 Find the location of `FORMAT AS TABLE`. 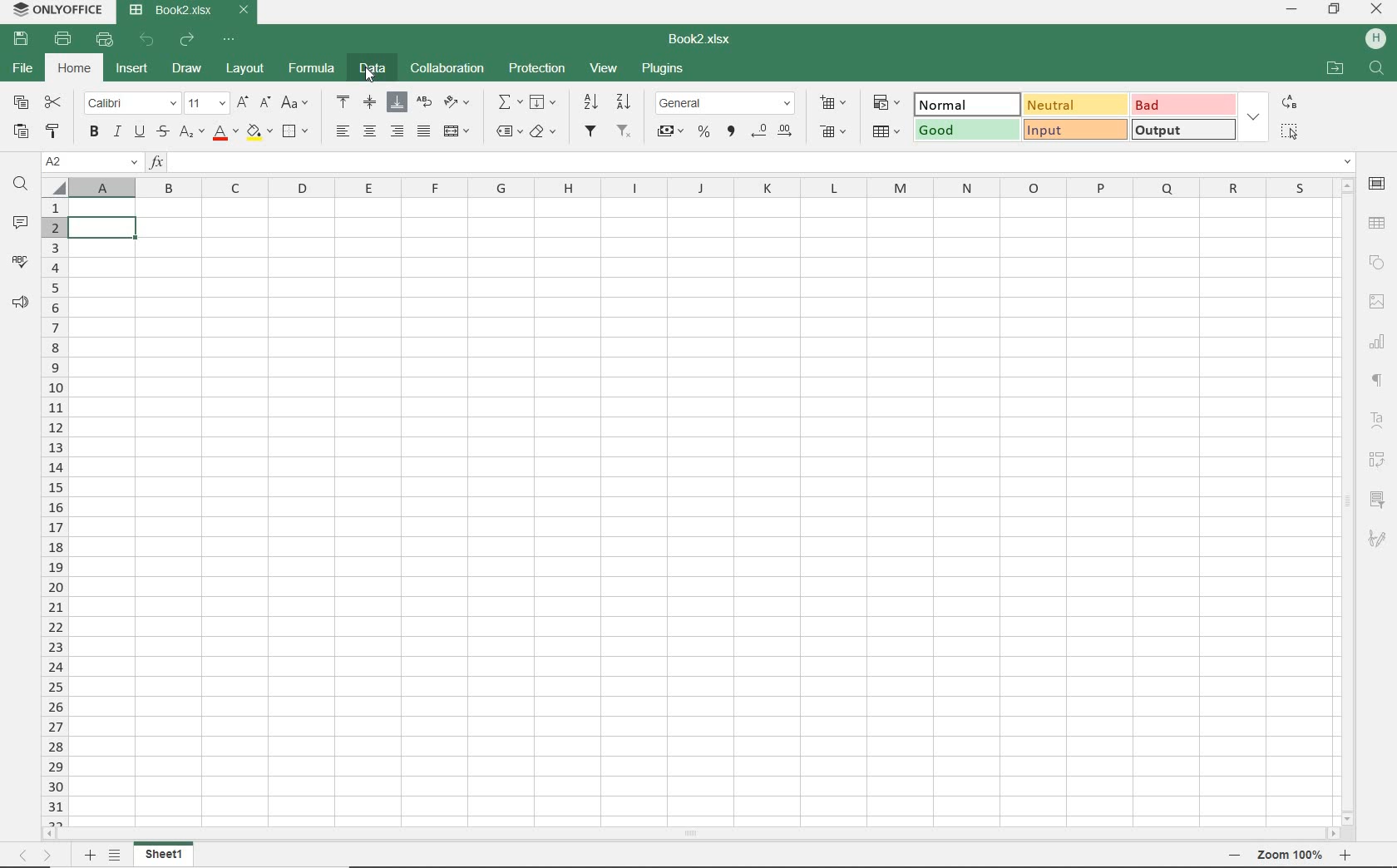

FORMAT AS TABLE is located at coordinates (887, 131).